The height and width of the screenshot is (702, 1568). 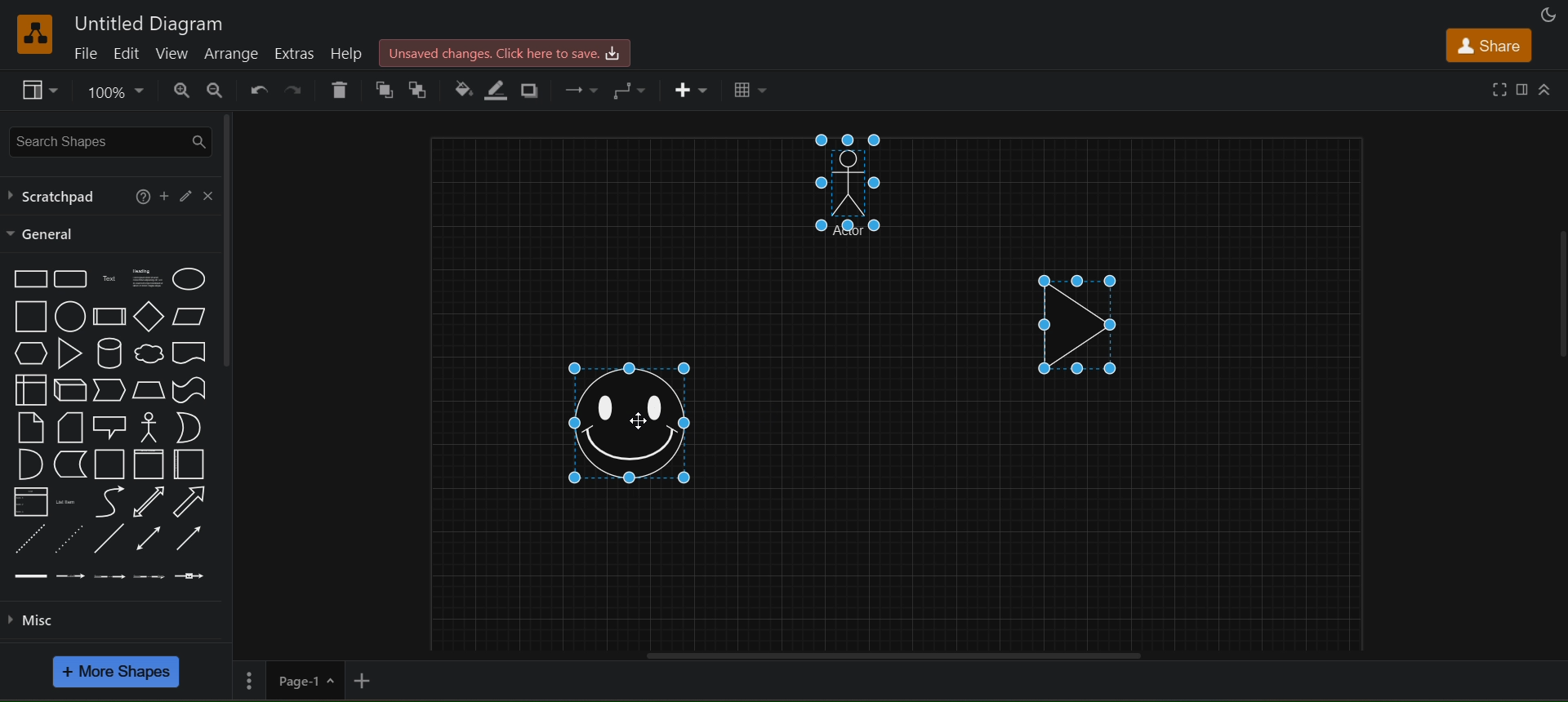 I want to click on zoom in, so click(x=179, y=91).